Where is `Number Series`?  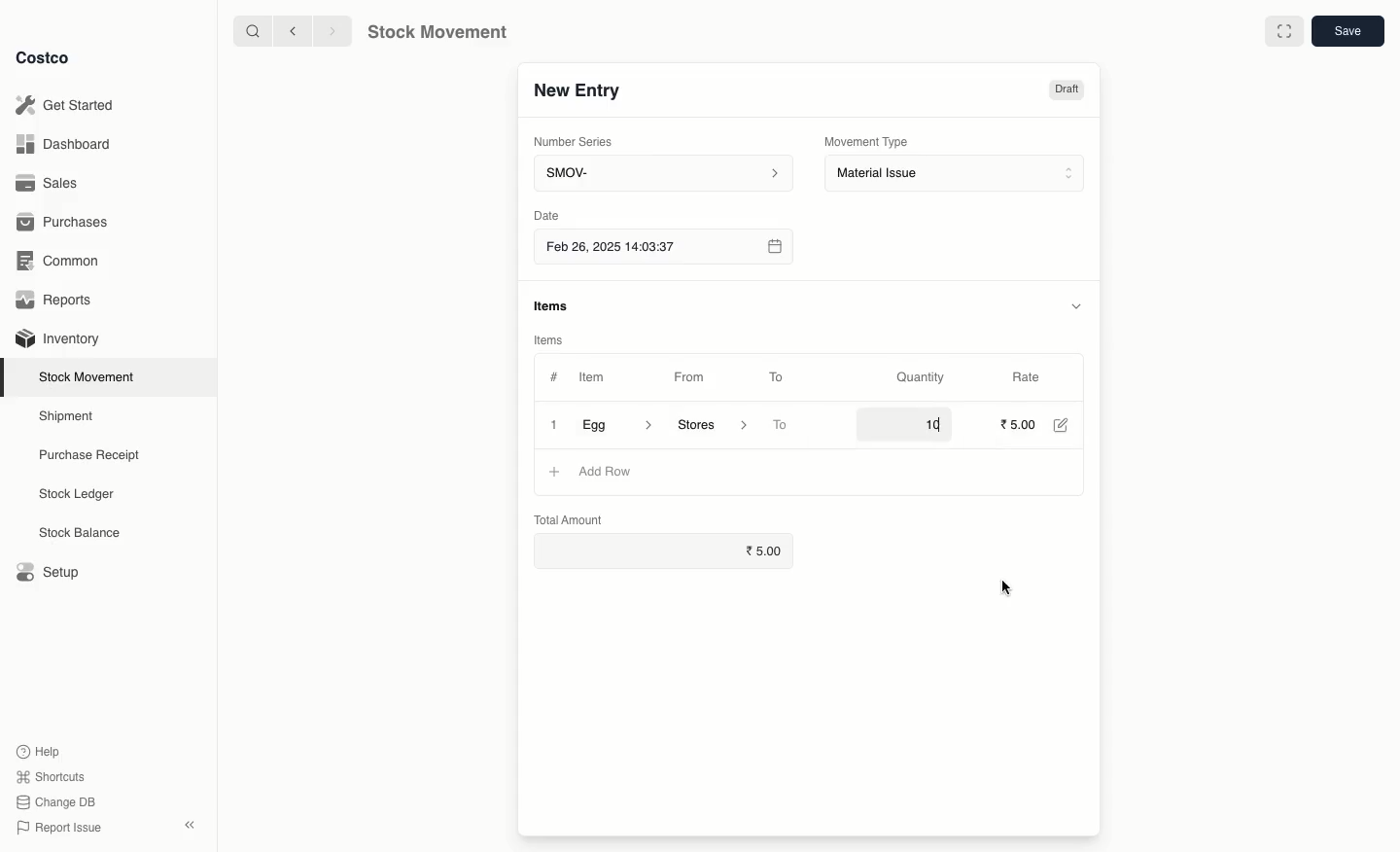
Number Series is located at coordinates (580, 145).